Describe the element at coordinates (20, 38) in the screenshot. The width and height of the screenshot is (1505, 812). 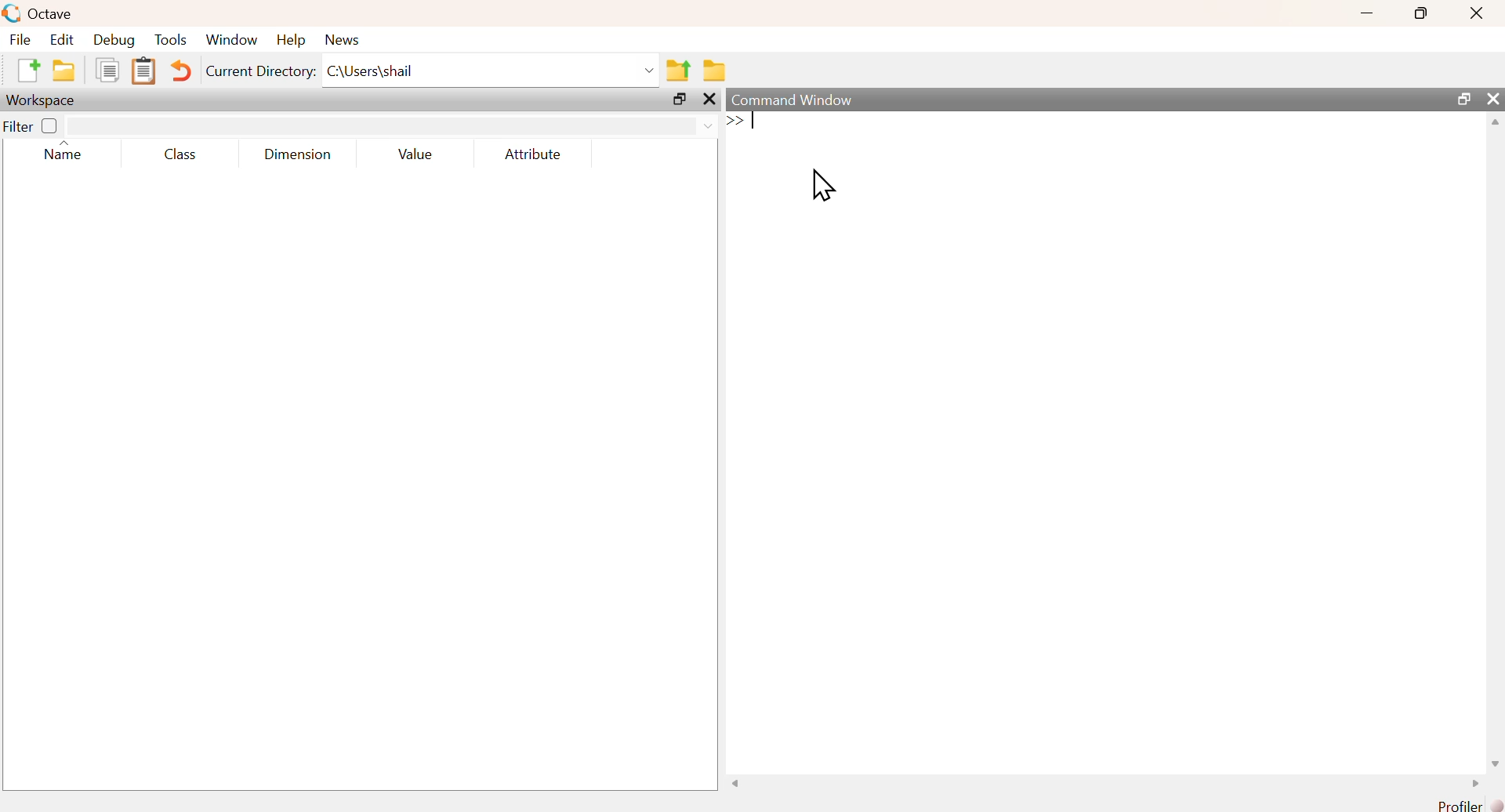
I see `File` at that location.